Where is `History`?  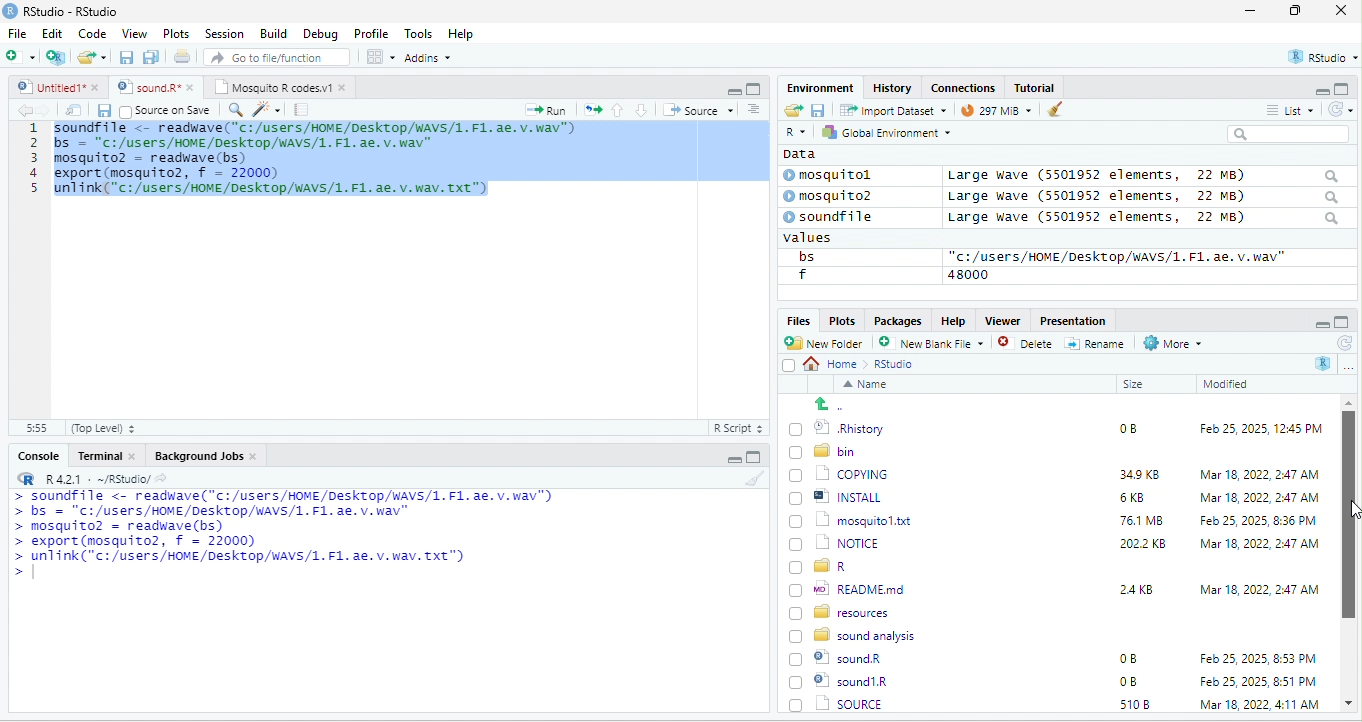
History is located at coordinates (893, 87).